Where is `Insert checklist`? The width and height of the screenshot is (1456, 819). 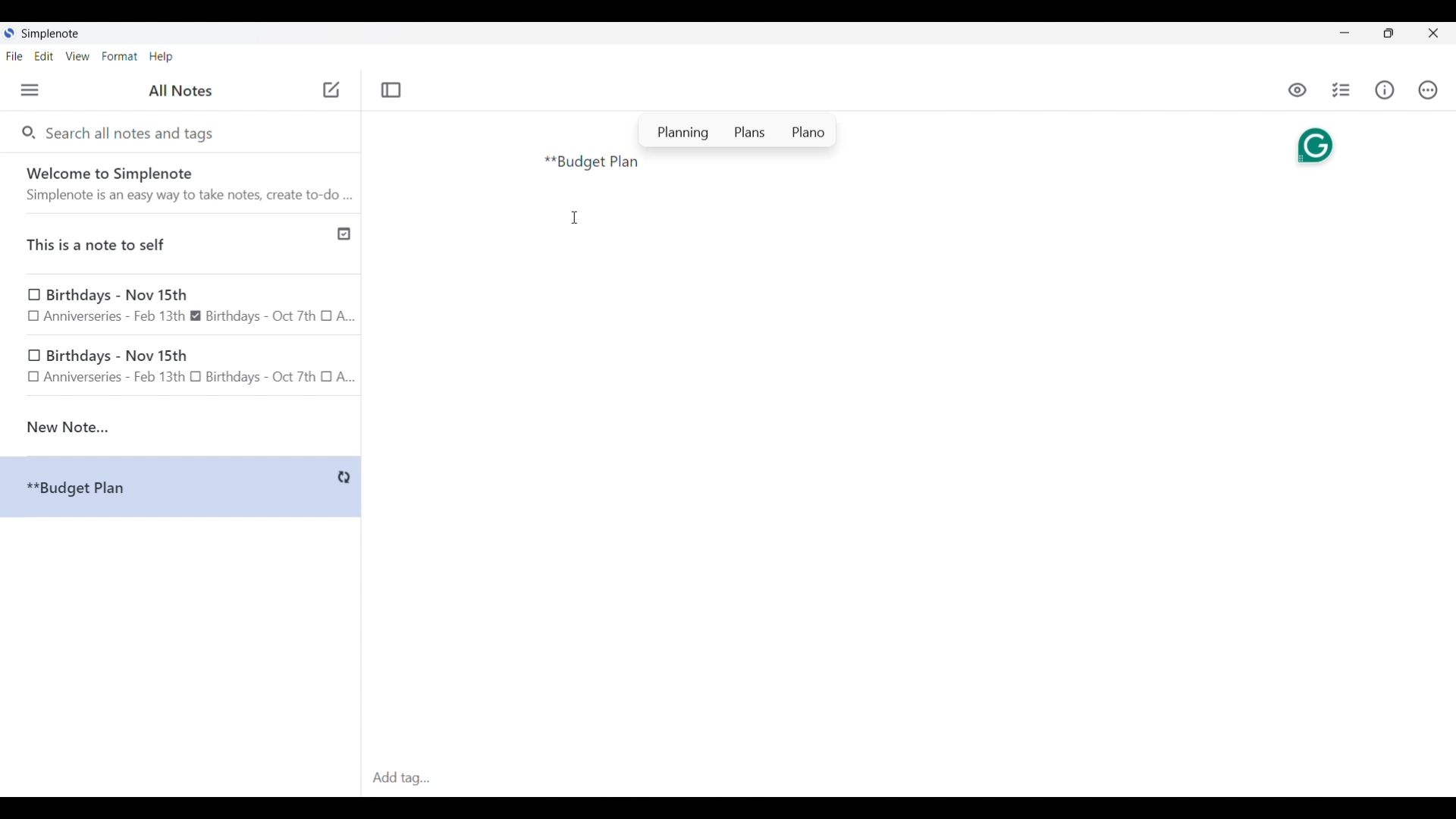
Insert checklist is located at coordinates (1342, 90).